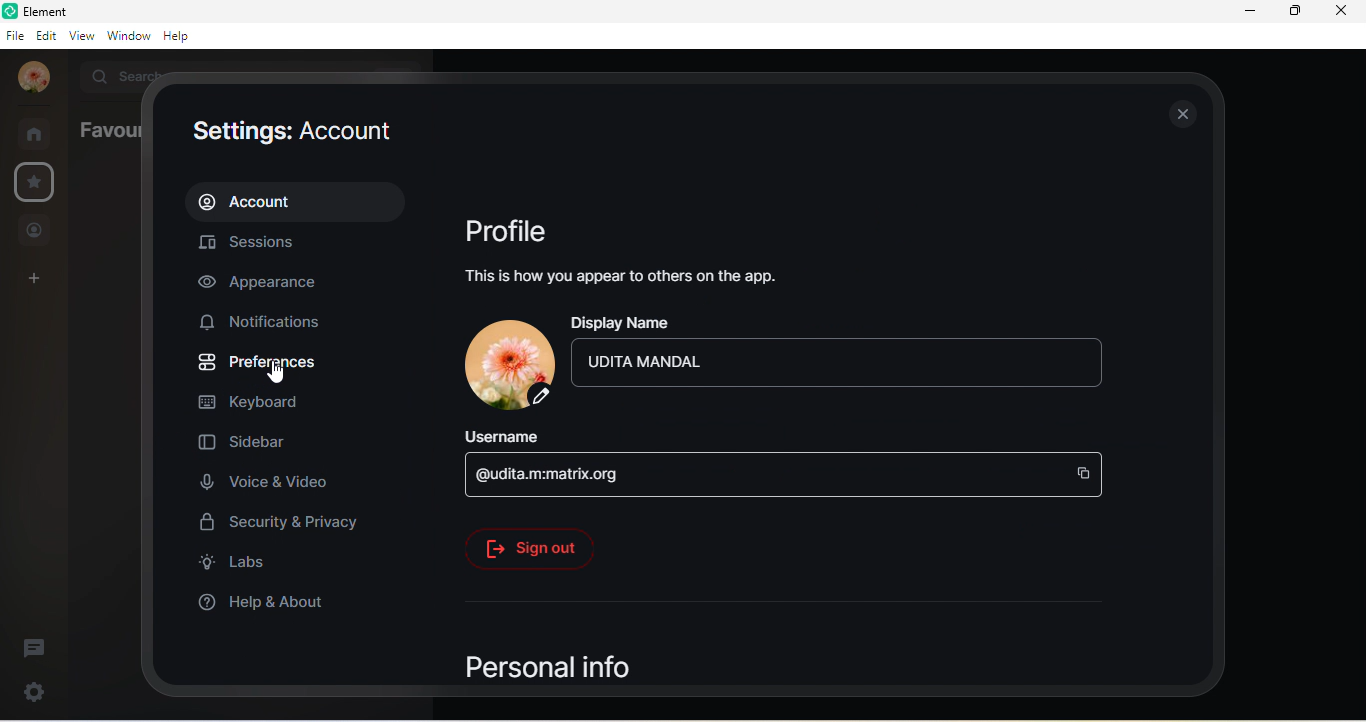 The width and height of the screenshot is (1366, 722). Describe the element at coordinates (584, 669) in the screenshot. I see `personal info` at that location.